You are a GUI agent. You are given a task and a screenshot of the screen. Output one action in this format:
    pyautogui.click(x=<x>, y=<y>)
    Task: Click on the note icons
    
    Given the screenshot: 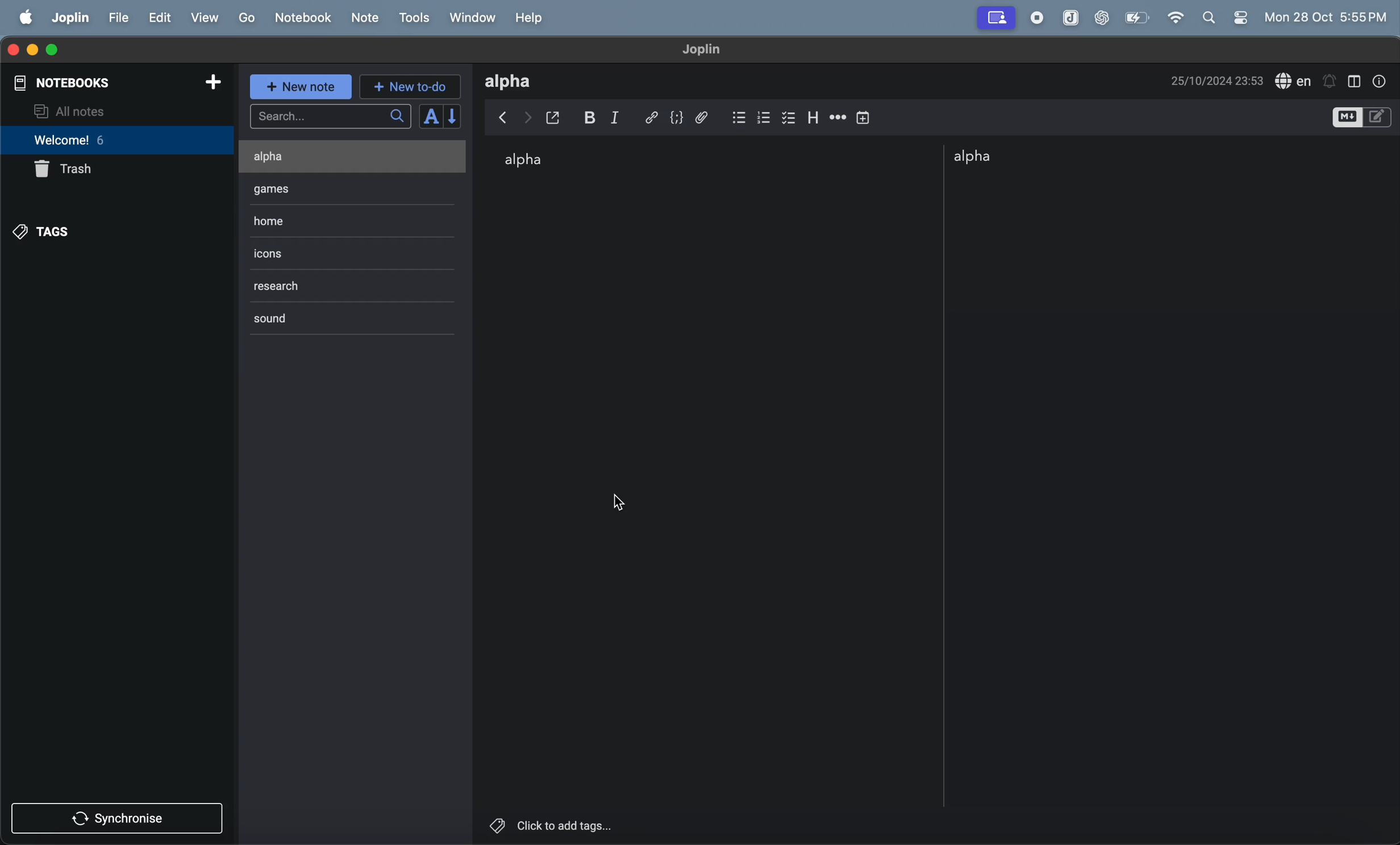 What is the action you would take?
    pyautogui.click(x=285, y=250)
    